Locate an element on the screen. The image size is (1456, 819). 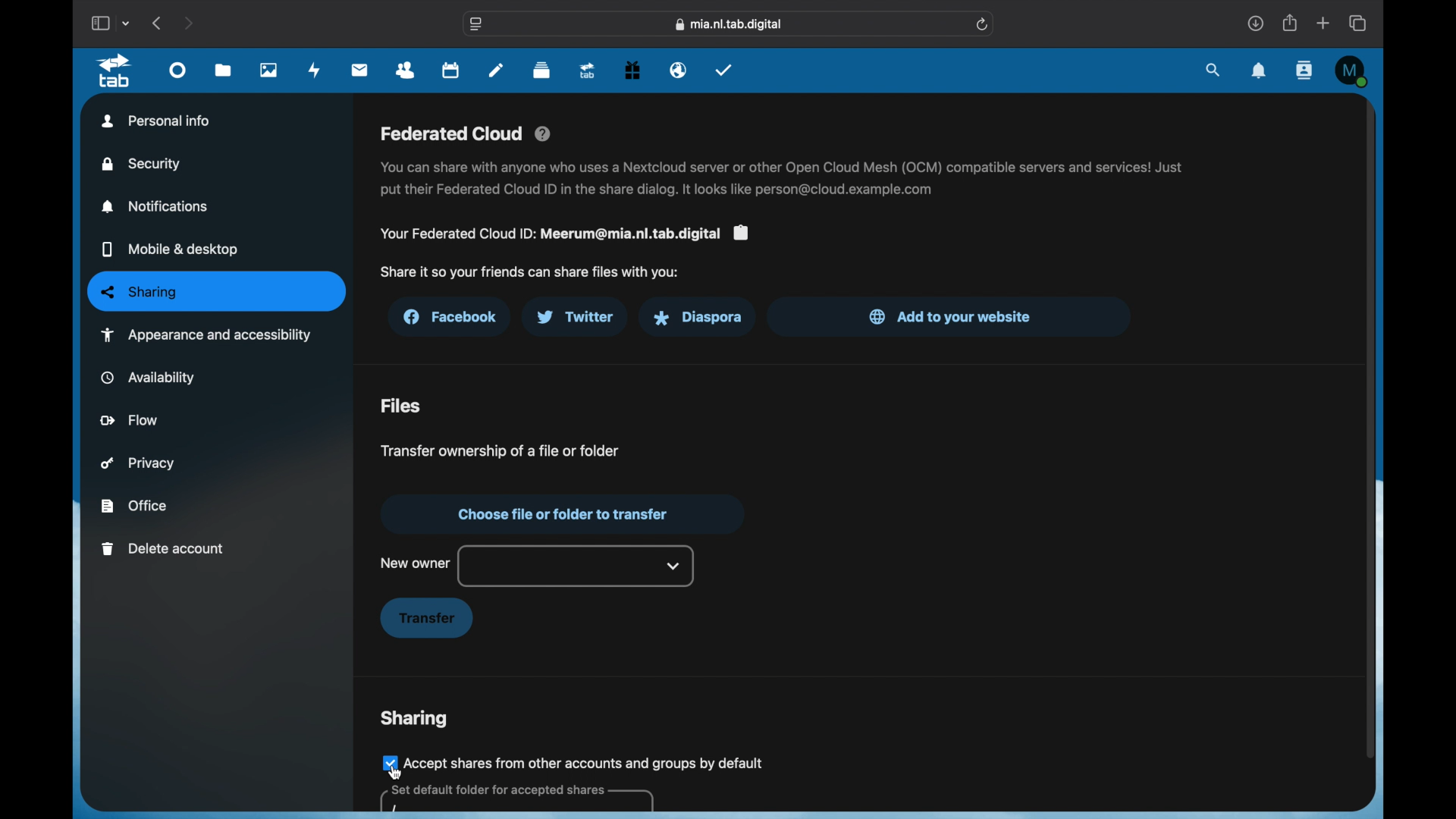
notes is located at coordinates (496, 70).